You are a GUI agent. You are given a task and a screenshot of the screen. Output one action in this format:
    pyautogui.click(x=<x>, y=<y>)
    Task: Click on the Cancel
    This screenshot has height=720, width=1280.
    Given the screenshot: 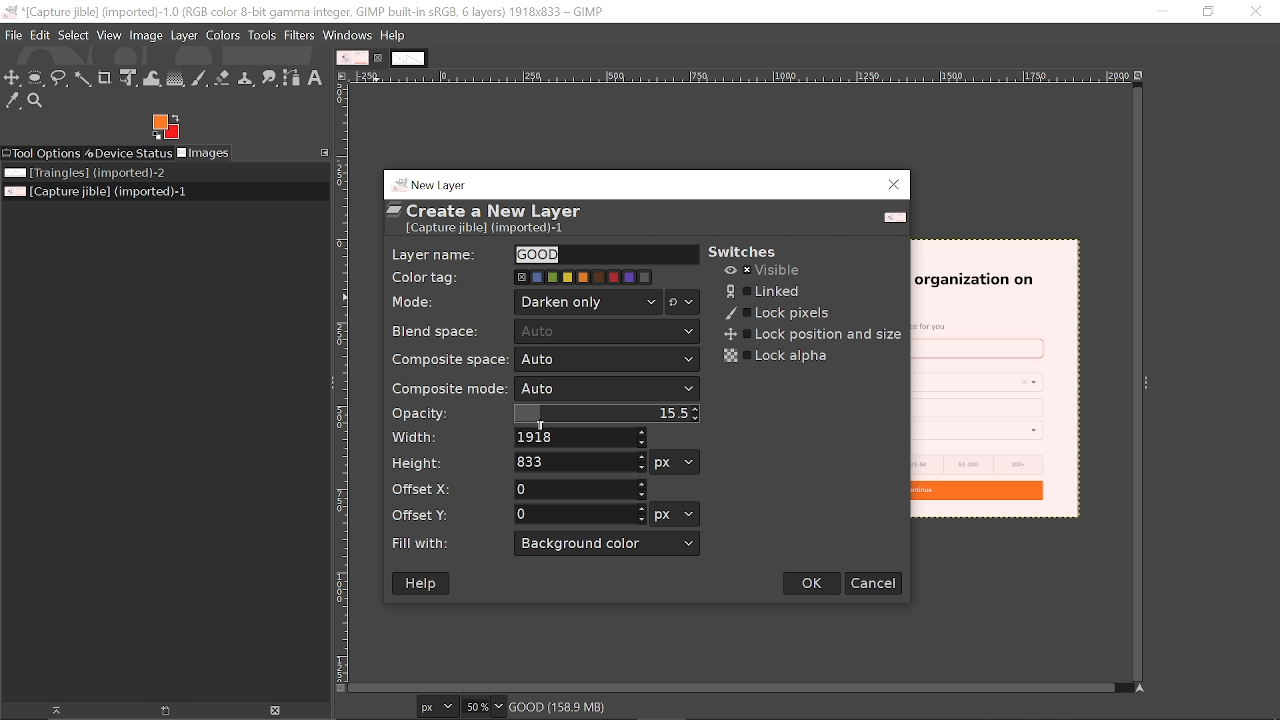 What is the action you would take?
    pyautogui.click(x=874, y=583)
    